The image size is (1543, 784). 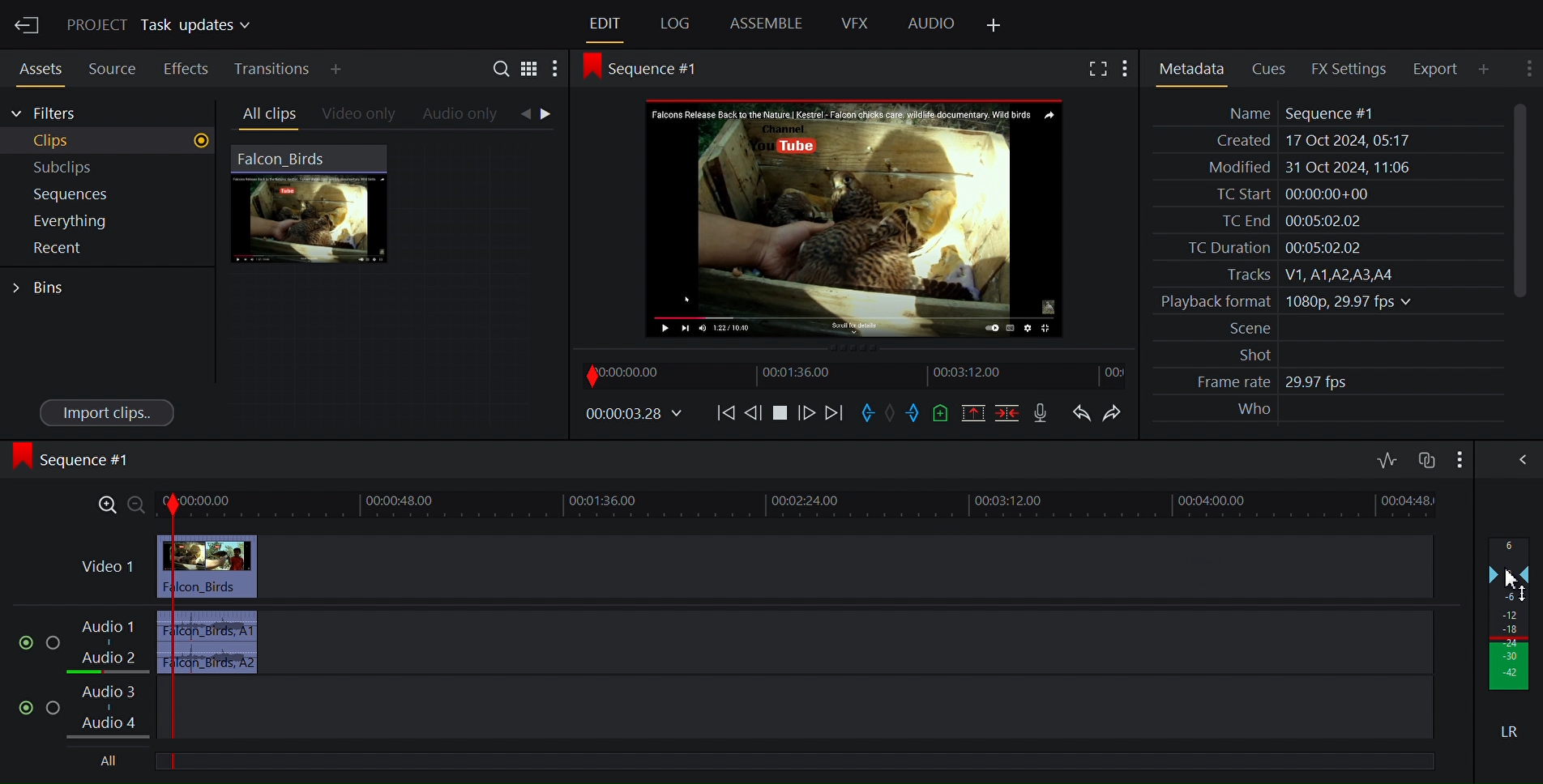 What do you see at coordinates (866, 413) in the screenshot?
I see `Mark in` at bounding box center [866, 413].